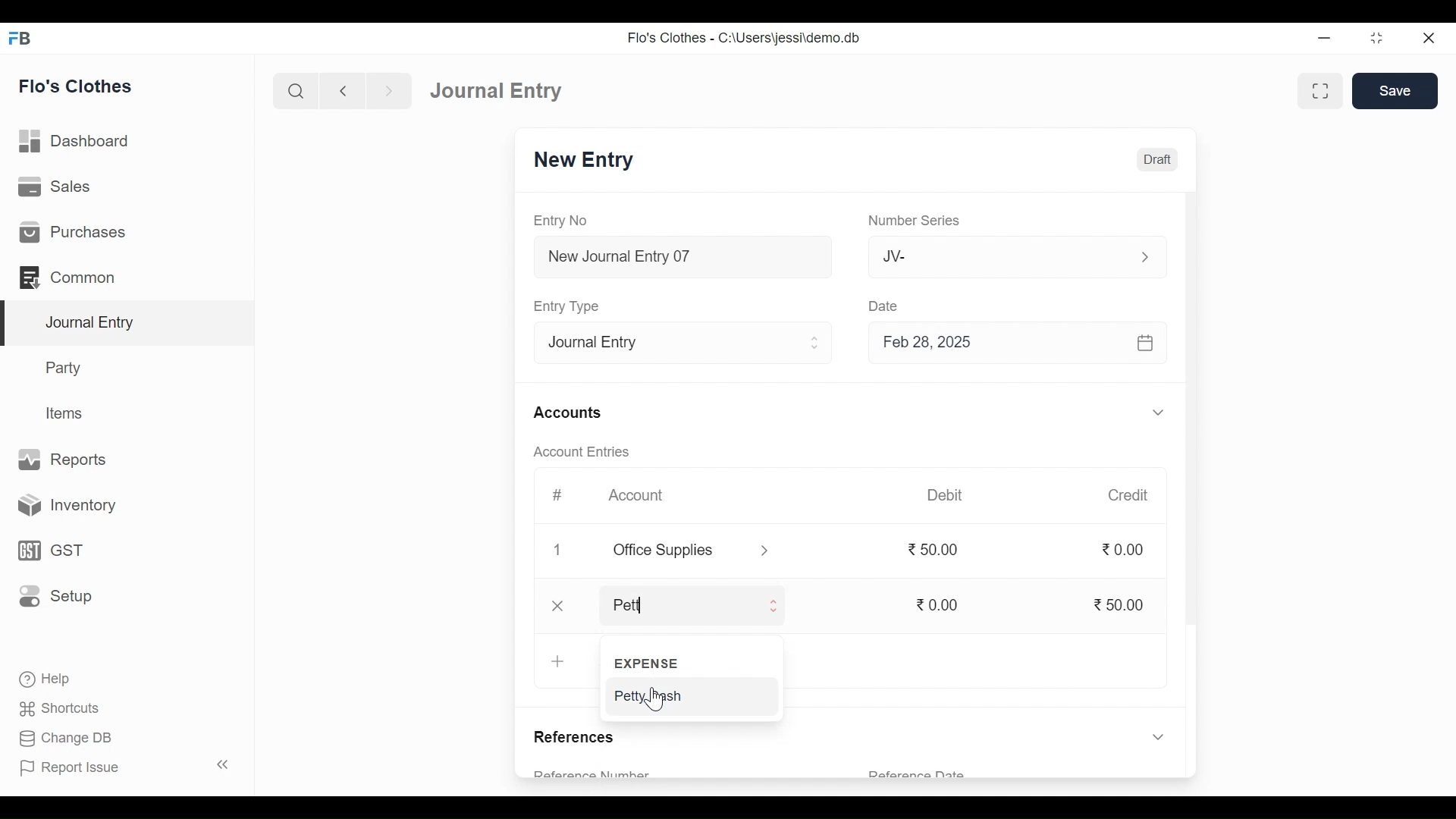 This screenshot has height=819, width=1456. I want to click on Shortcuts, so click(68, 706).